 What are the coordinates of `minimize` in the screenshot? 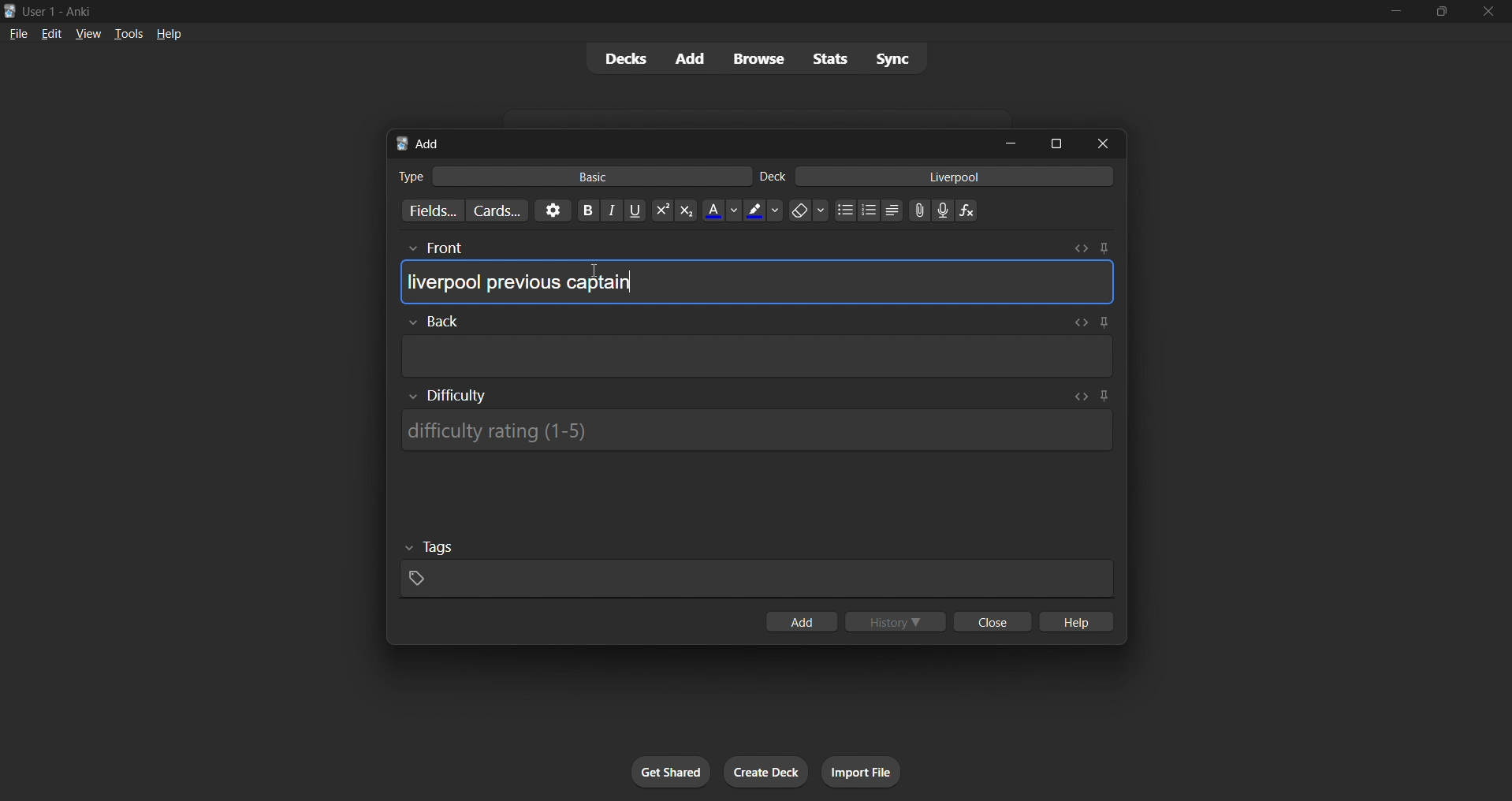 It's located at (1014, 144).